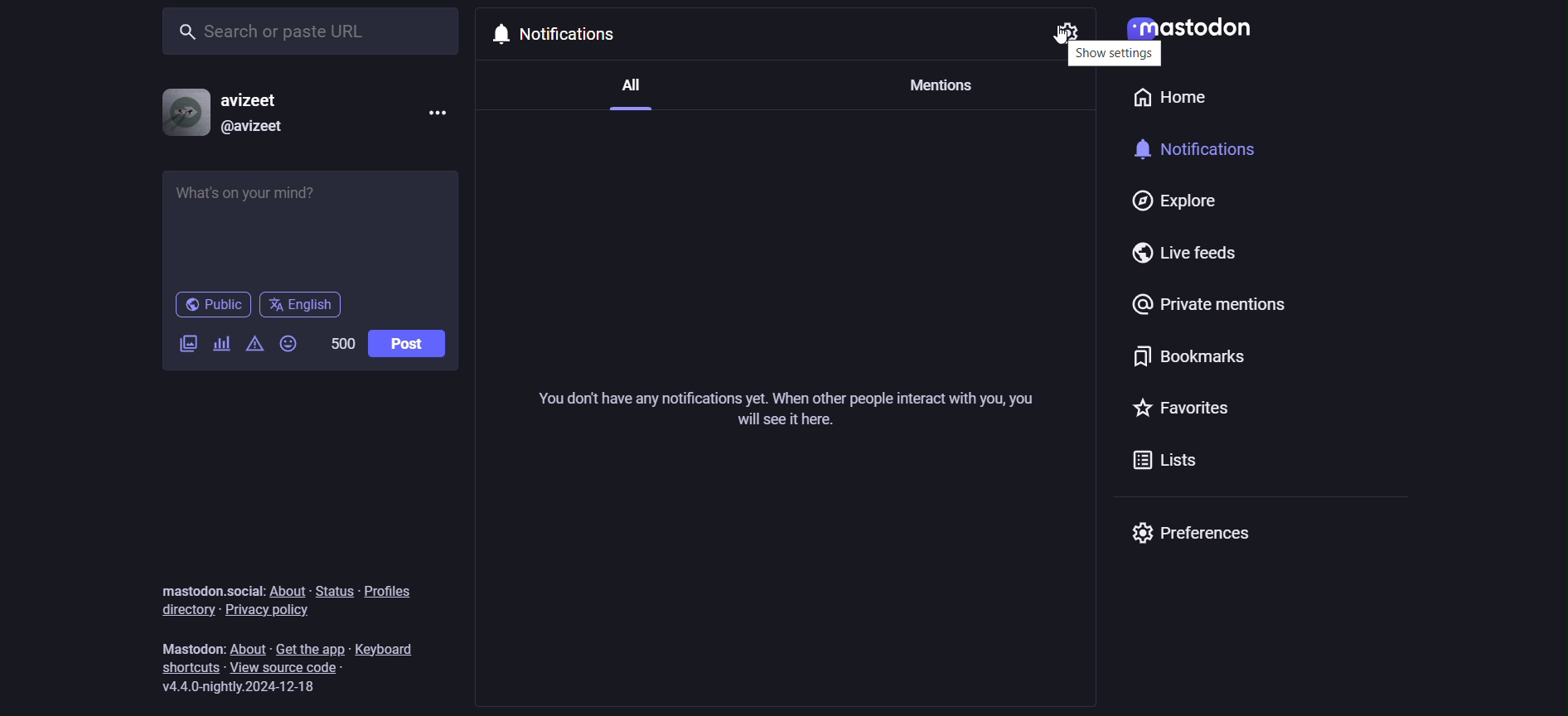 This screenshot has height=716, width=1568. Describe the element at coordinates (1168, 202) in the screenshot. I see `explore` at that location.